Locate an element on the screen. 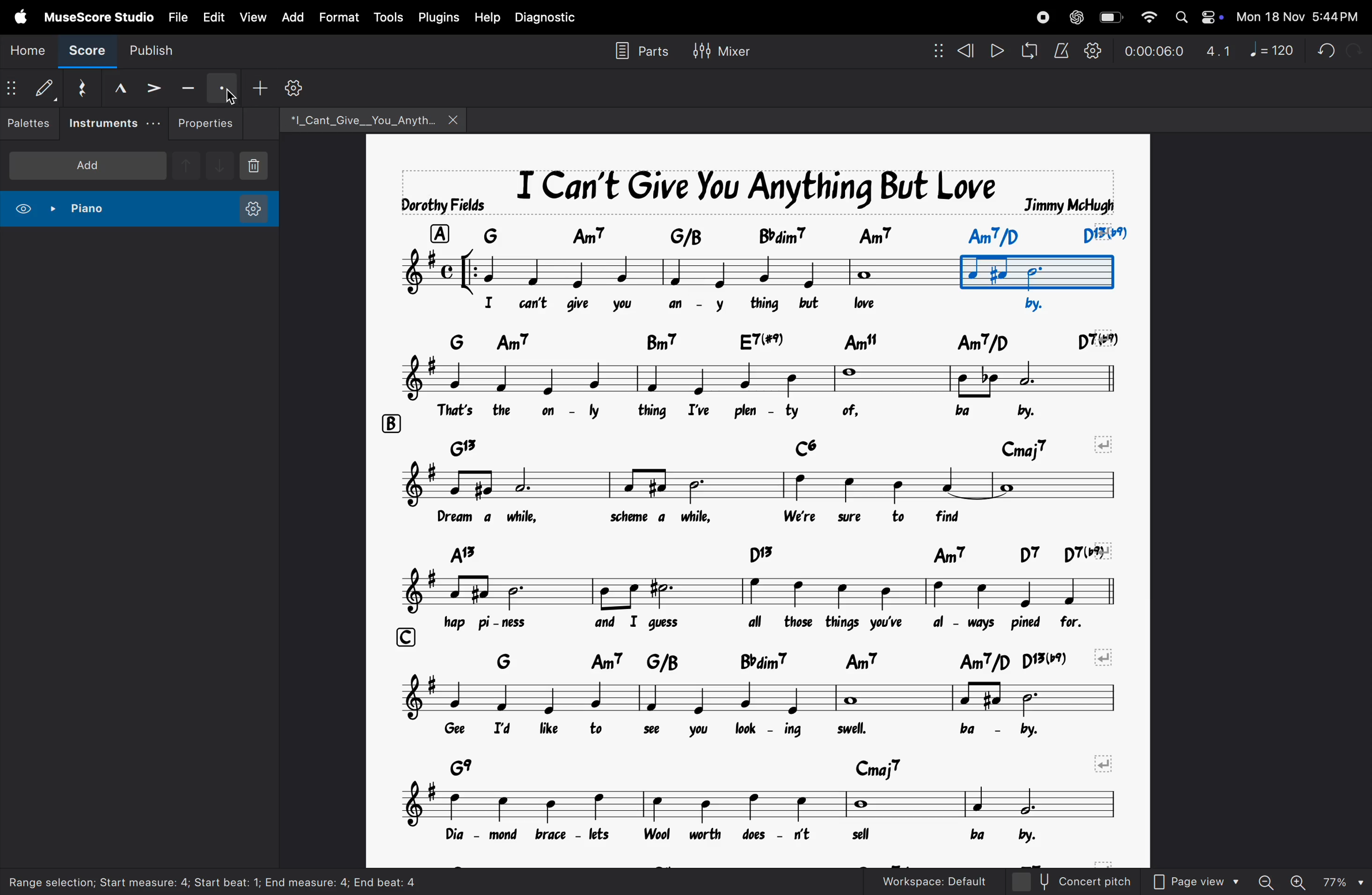  row is located at coordinates (455, 341).